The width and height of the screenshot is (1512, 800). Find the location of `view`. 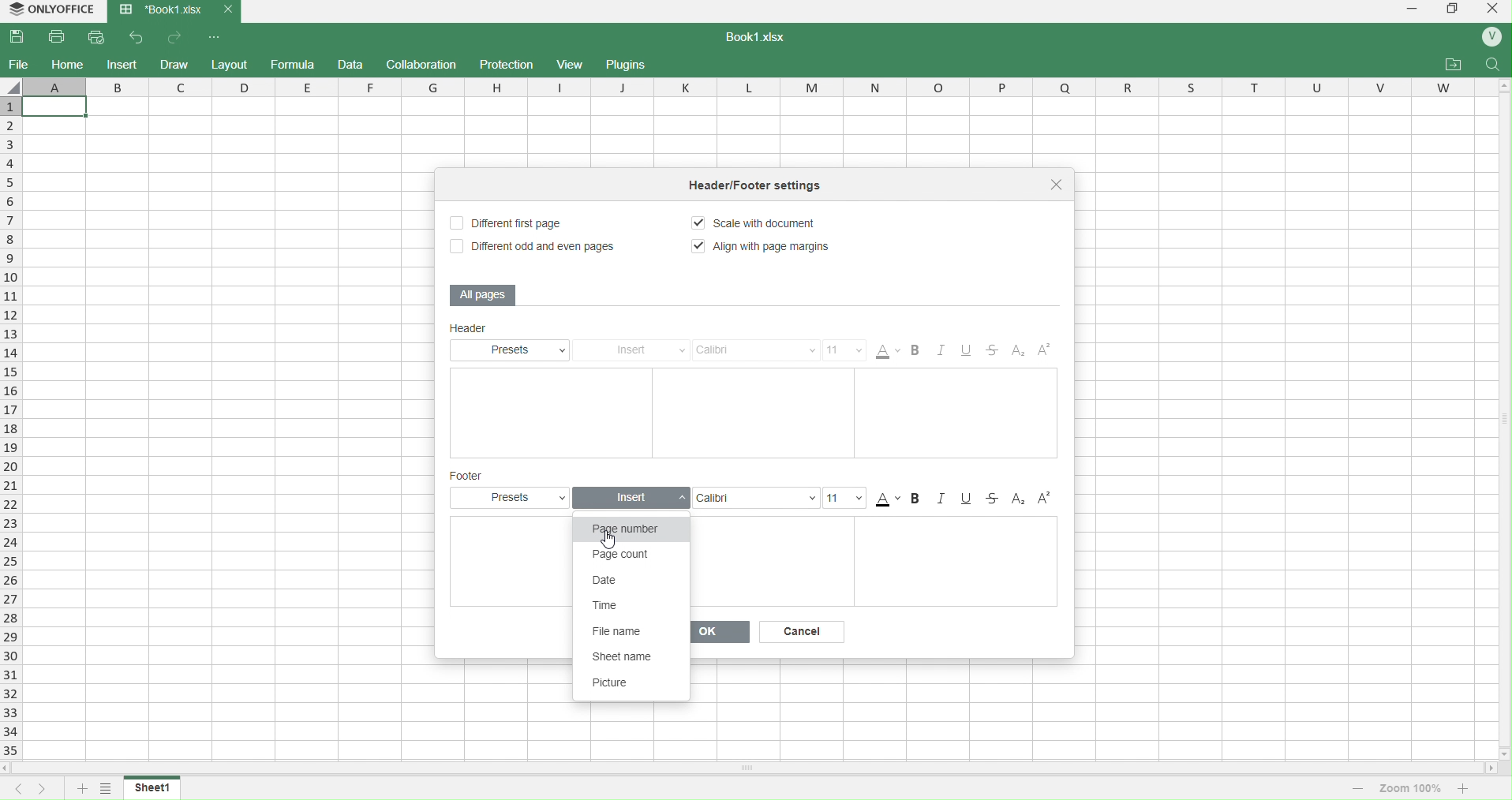

view is located at coordinates (571, 65).